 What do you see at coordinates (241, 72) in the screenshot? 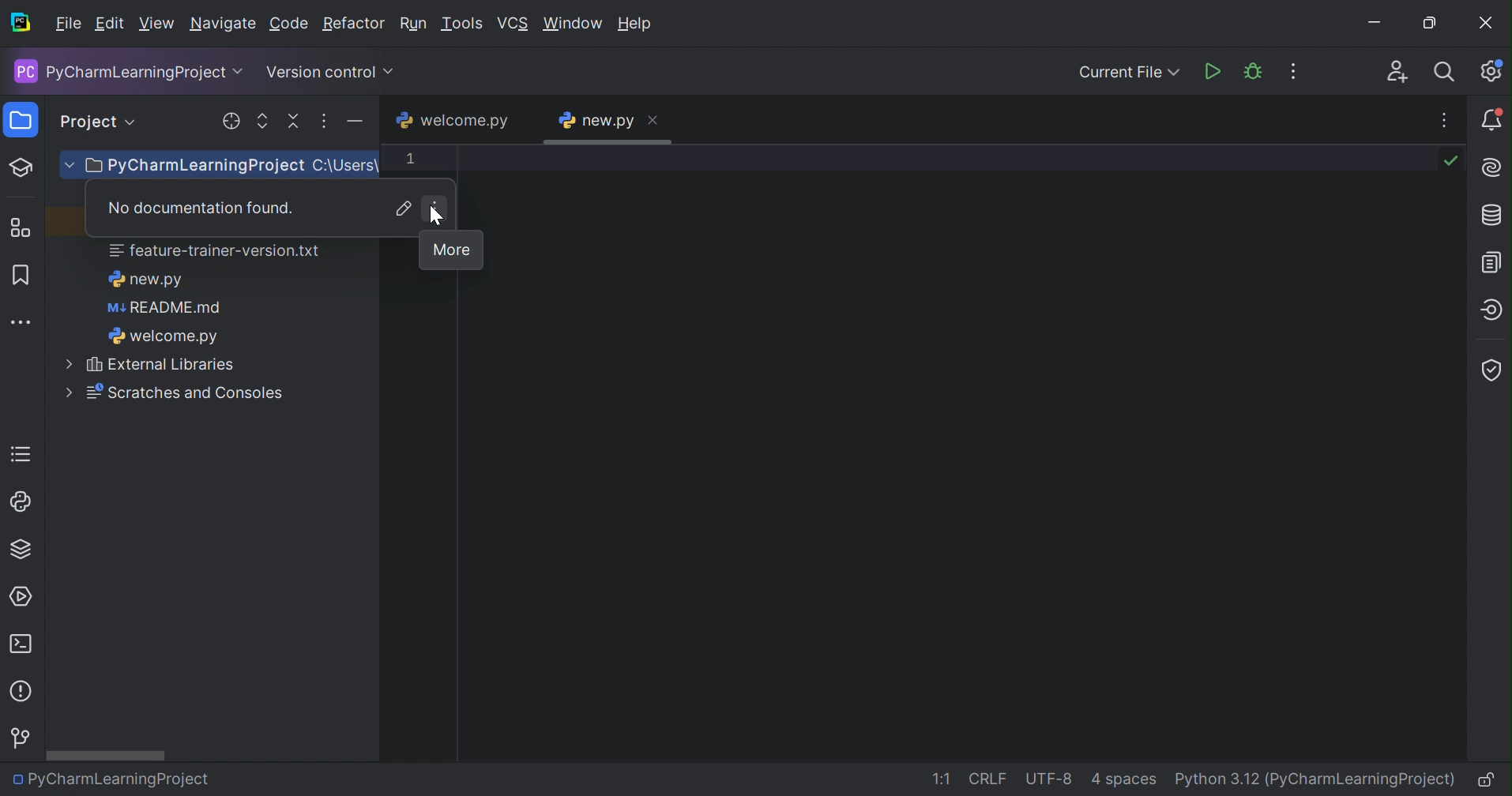
I see `Drop down` at bounding box center [241, 72].